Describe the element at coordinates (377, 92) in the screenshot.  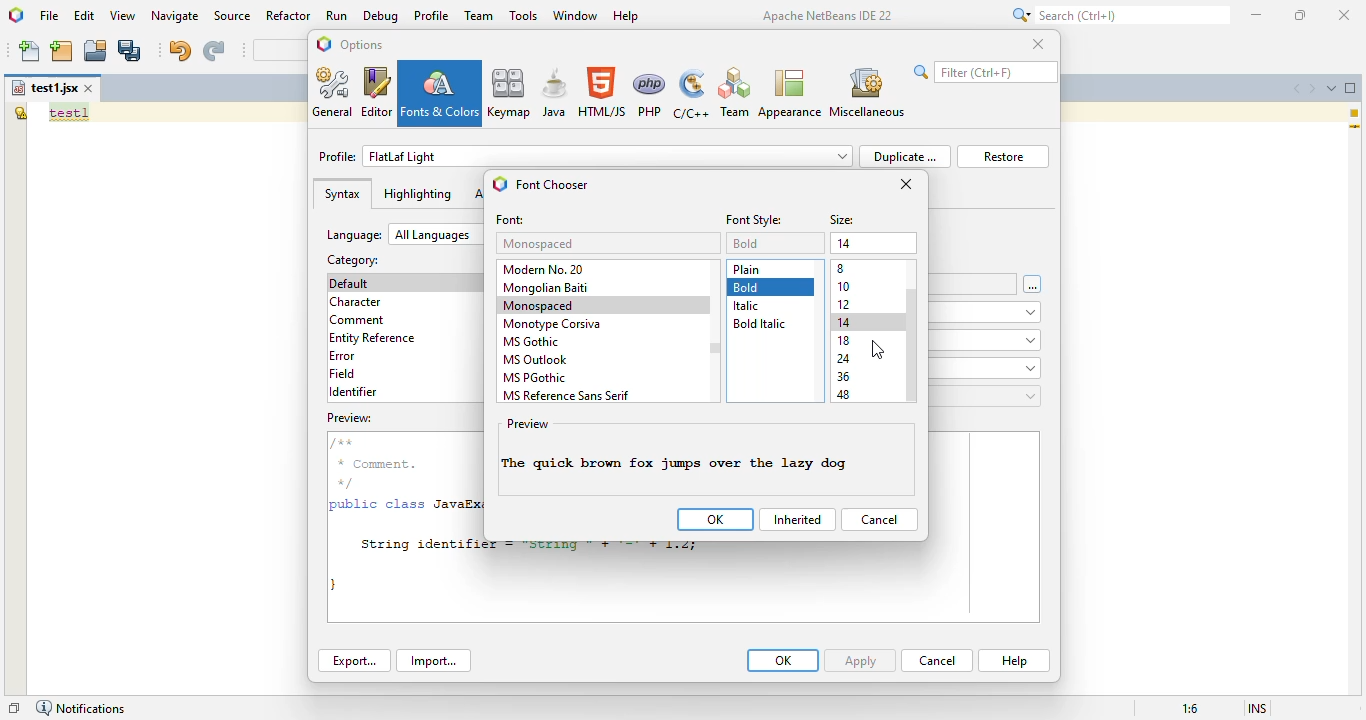
I see `editor` at that location.